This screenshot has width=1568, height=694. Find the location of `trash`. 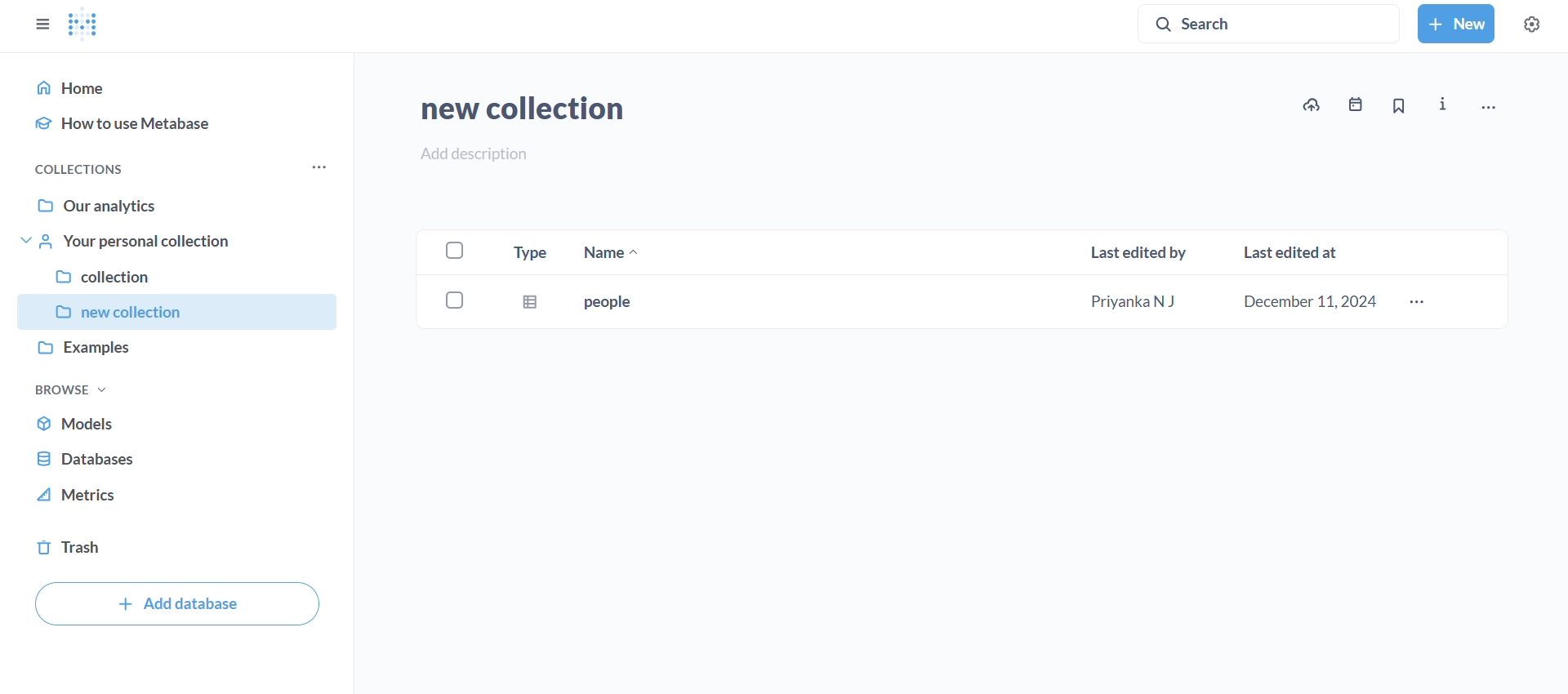

trash is located at coordinates (182, 547).